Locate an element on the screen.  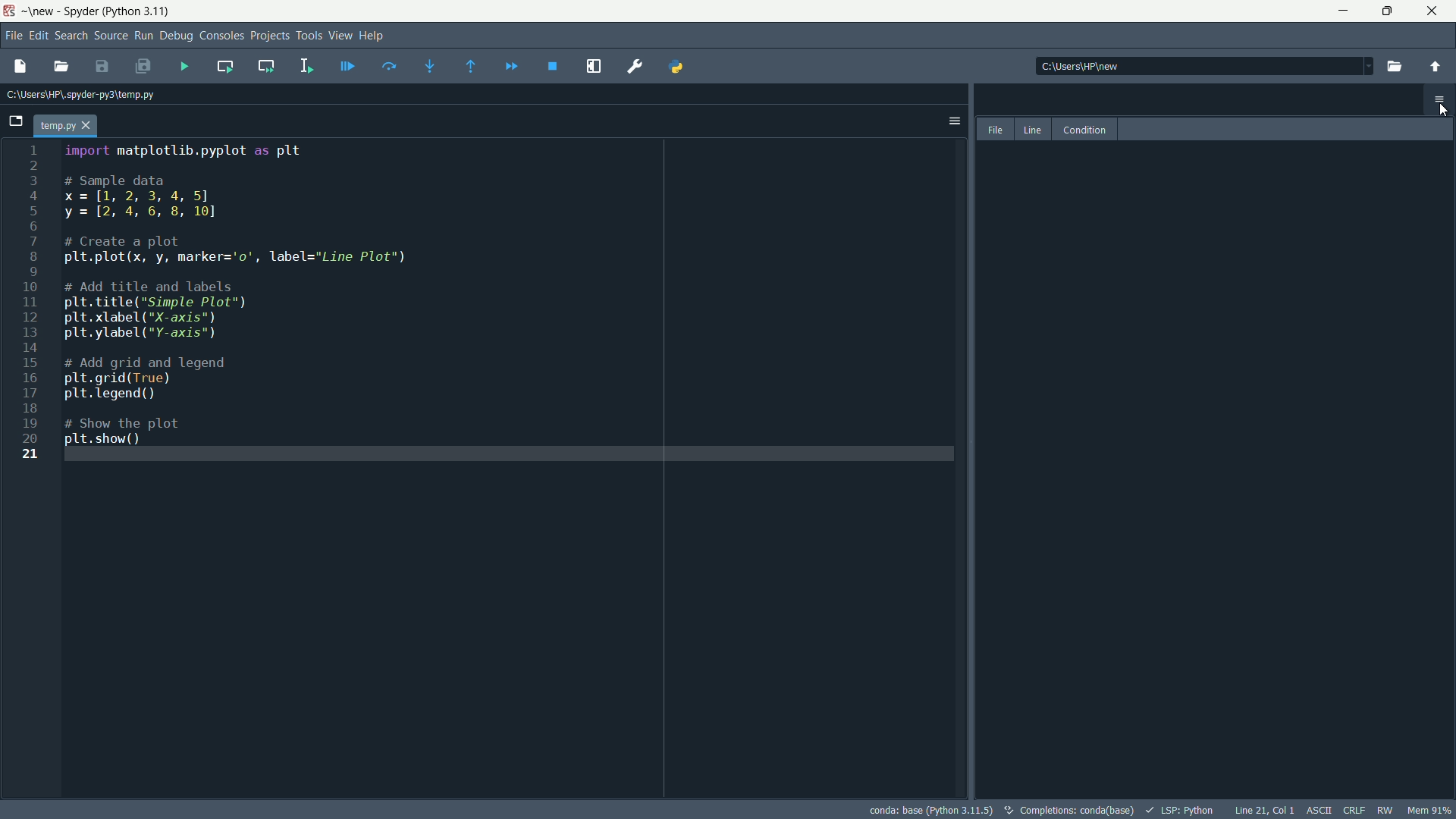
CRLF is located at coordinates (1354, 811).